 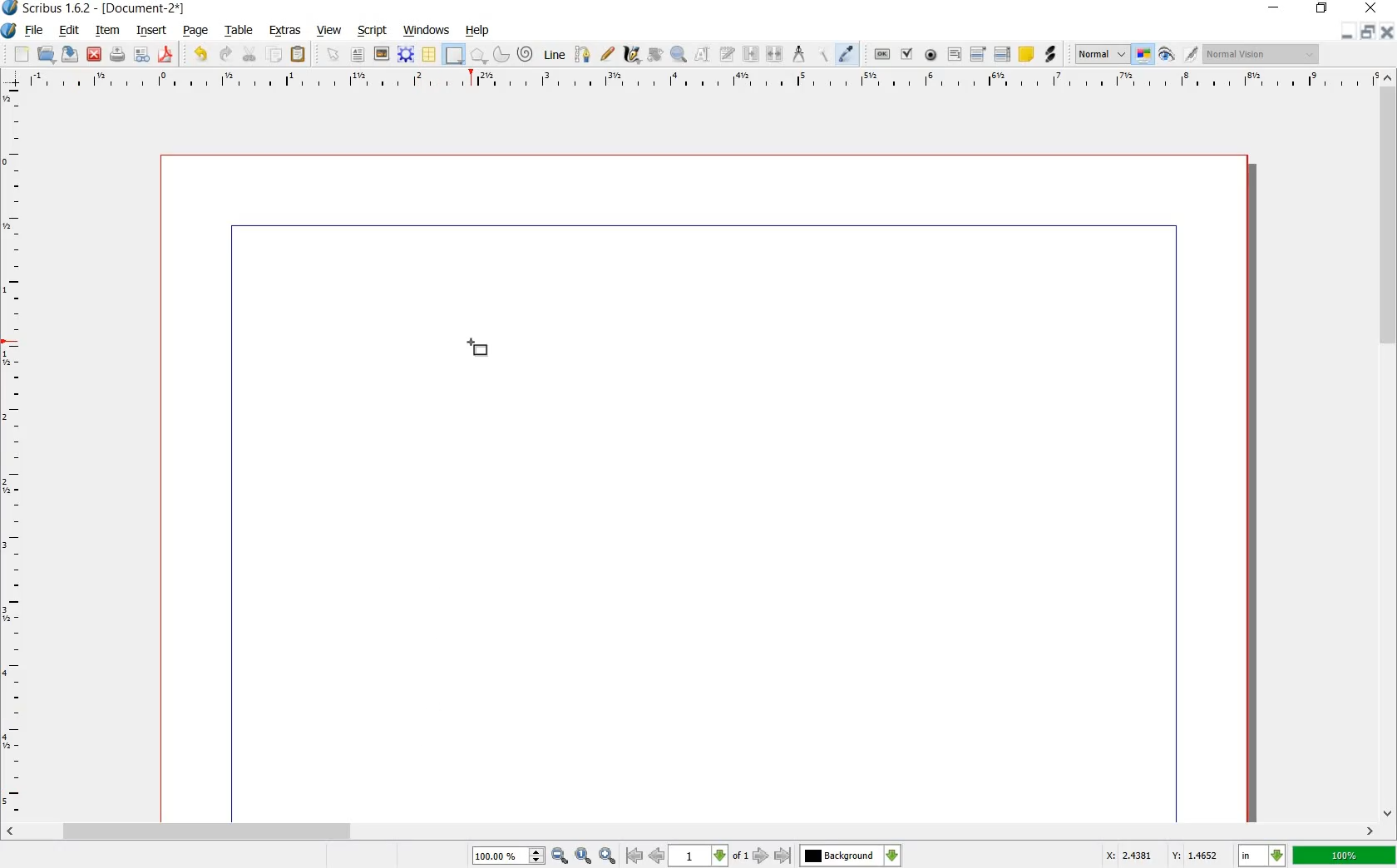 I want to click on MEASUREMENTS, so click(x=798, y=54).